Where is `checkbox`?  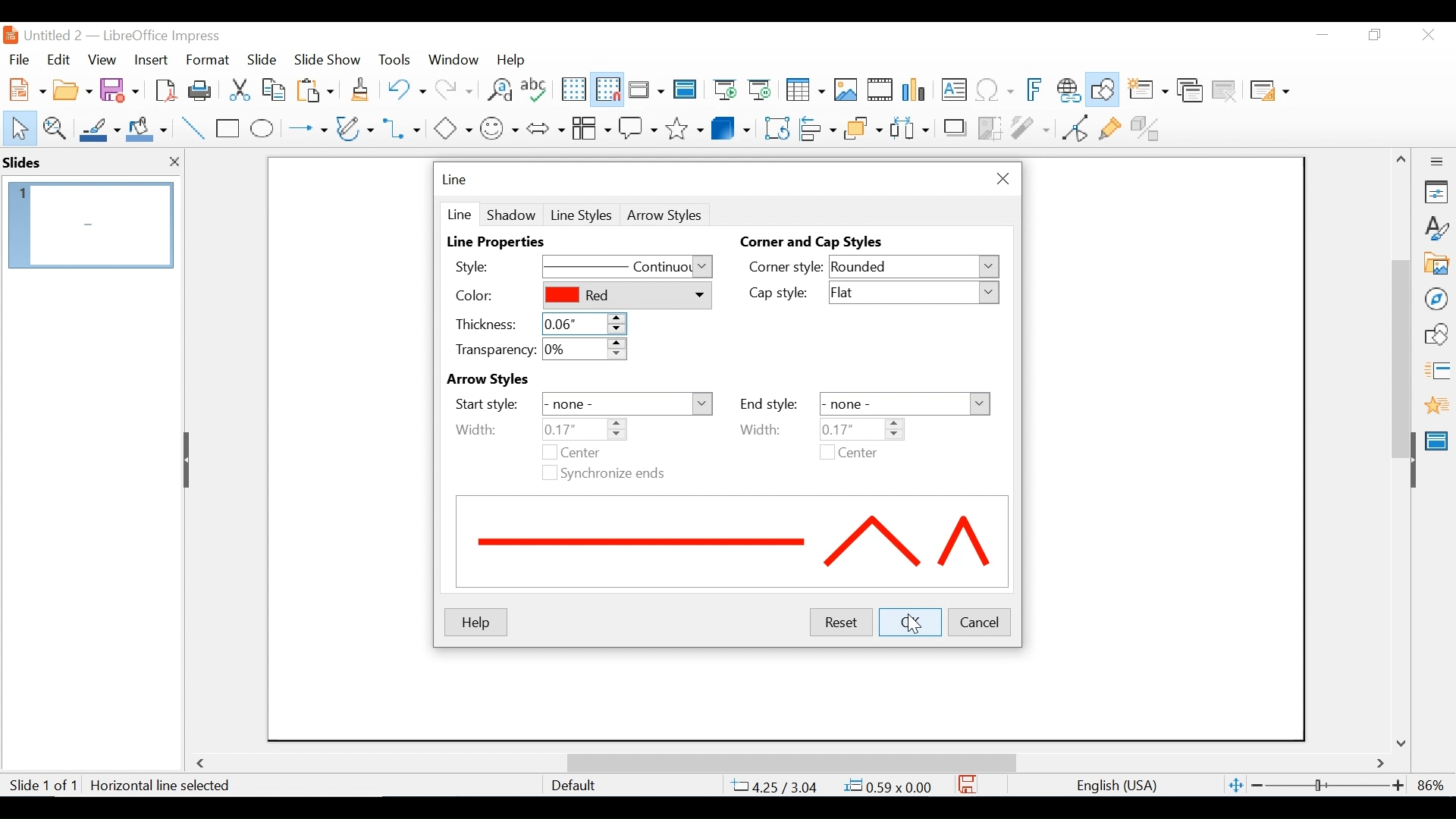
checkbox is located at coordinates (827, 452).